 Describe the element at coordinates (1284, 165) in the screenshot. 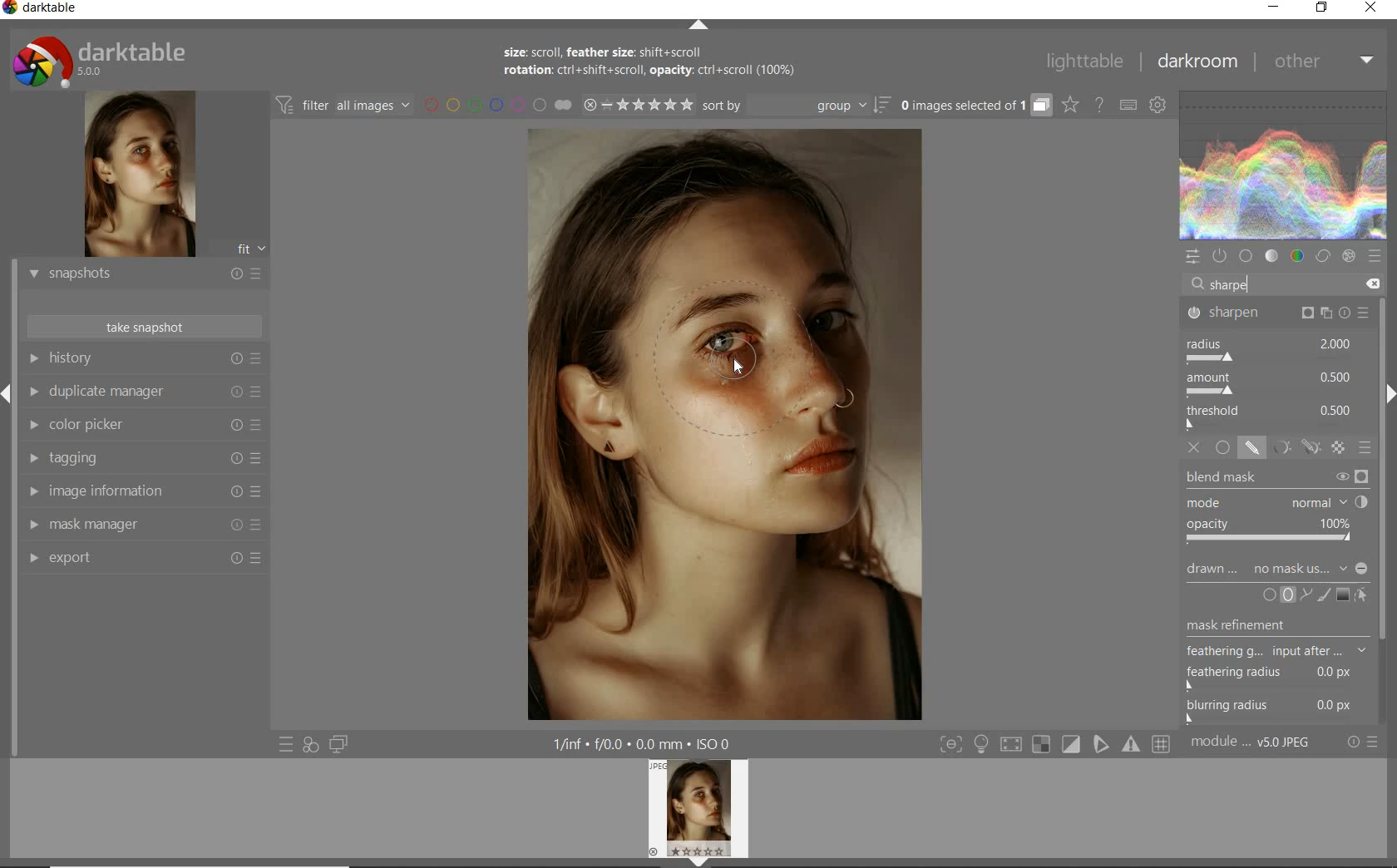

I see `waveform` at that location.